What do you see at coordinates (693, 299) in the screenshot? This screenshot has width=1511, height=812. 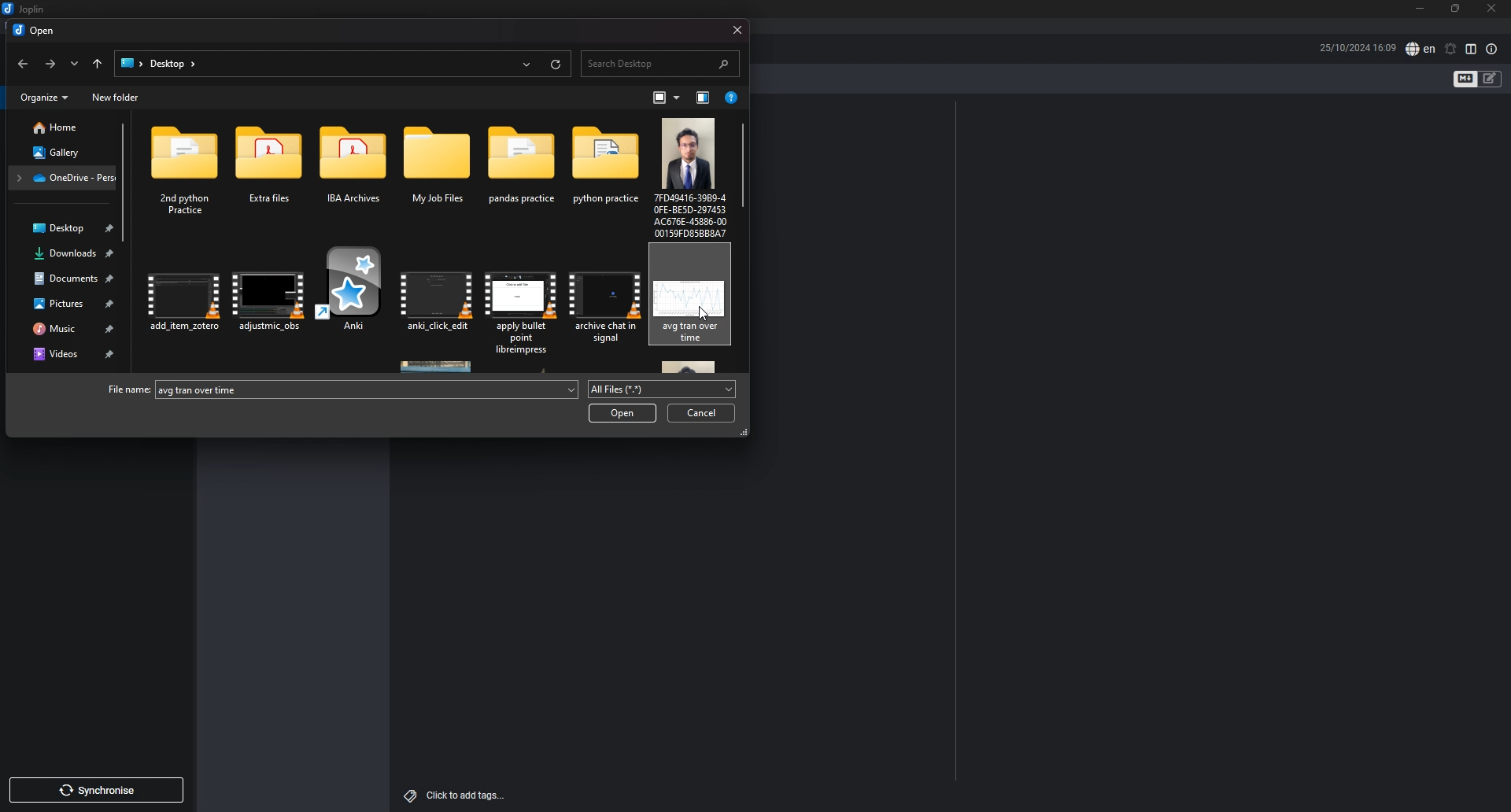 I see `avg. brand over tine` at bounding box center [693, 299].